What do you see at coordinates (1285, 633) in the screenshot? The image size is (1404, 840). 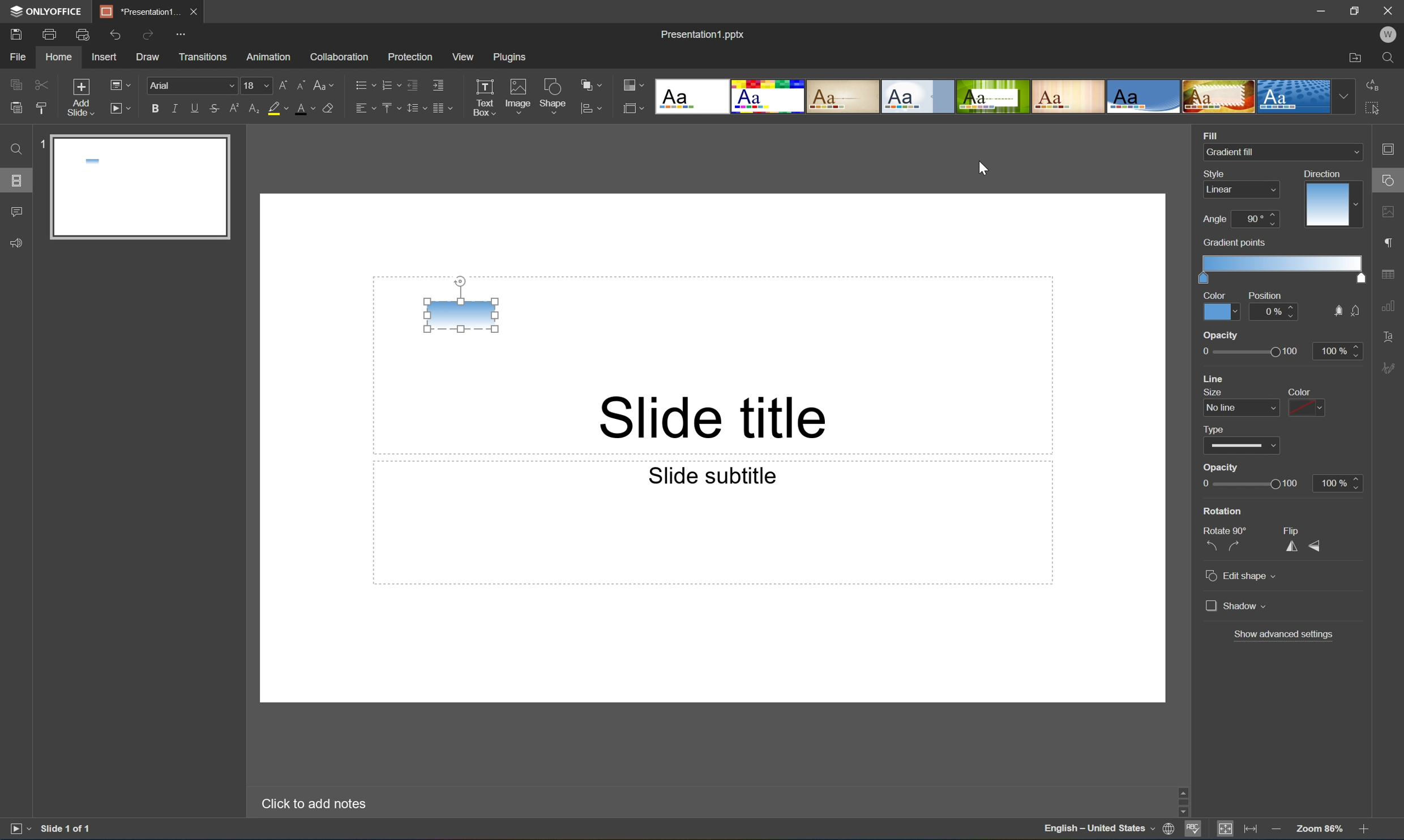 I see `Show advanced settings` at bounding box center [1285, 633].